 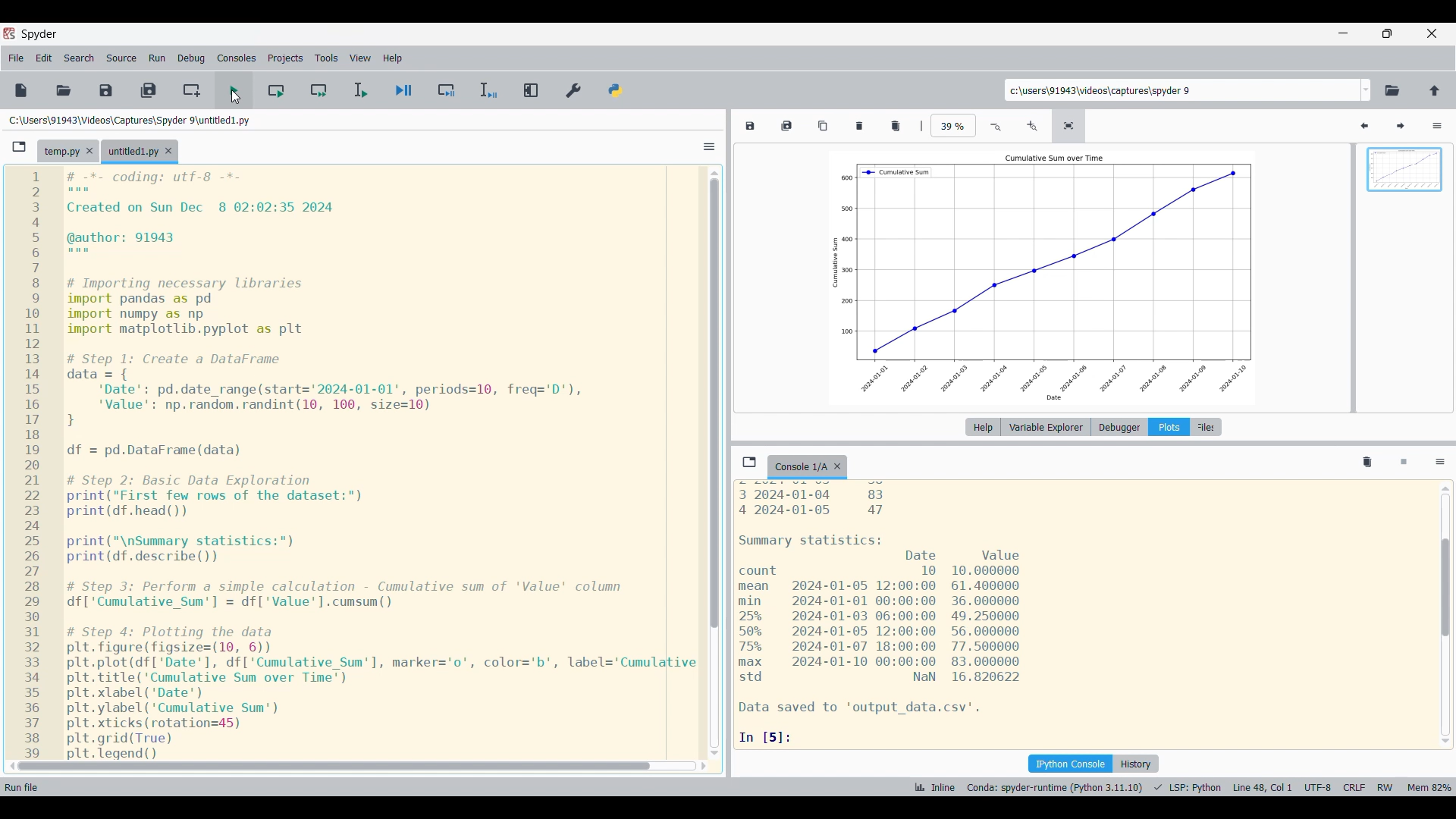 What do you see at coordinates (278, 83) in the screenshot?
I see `Run current cell` at bounding box center [278, 83].